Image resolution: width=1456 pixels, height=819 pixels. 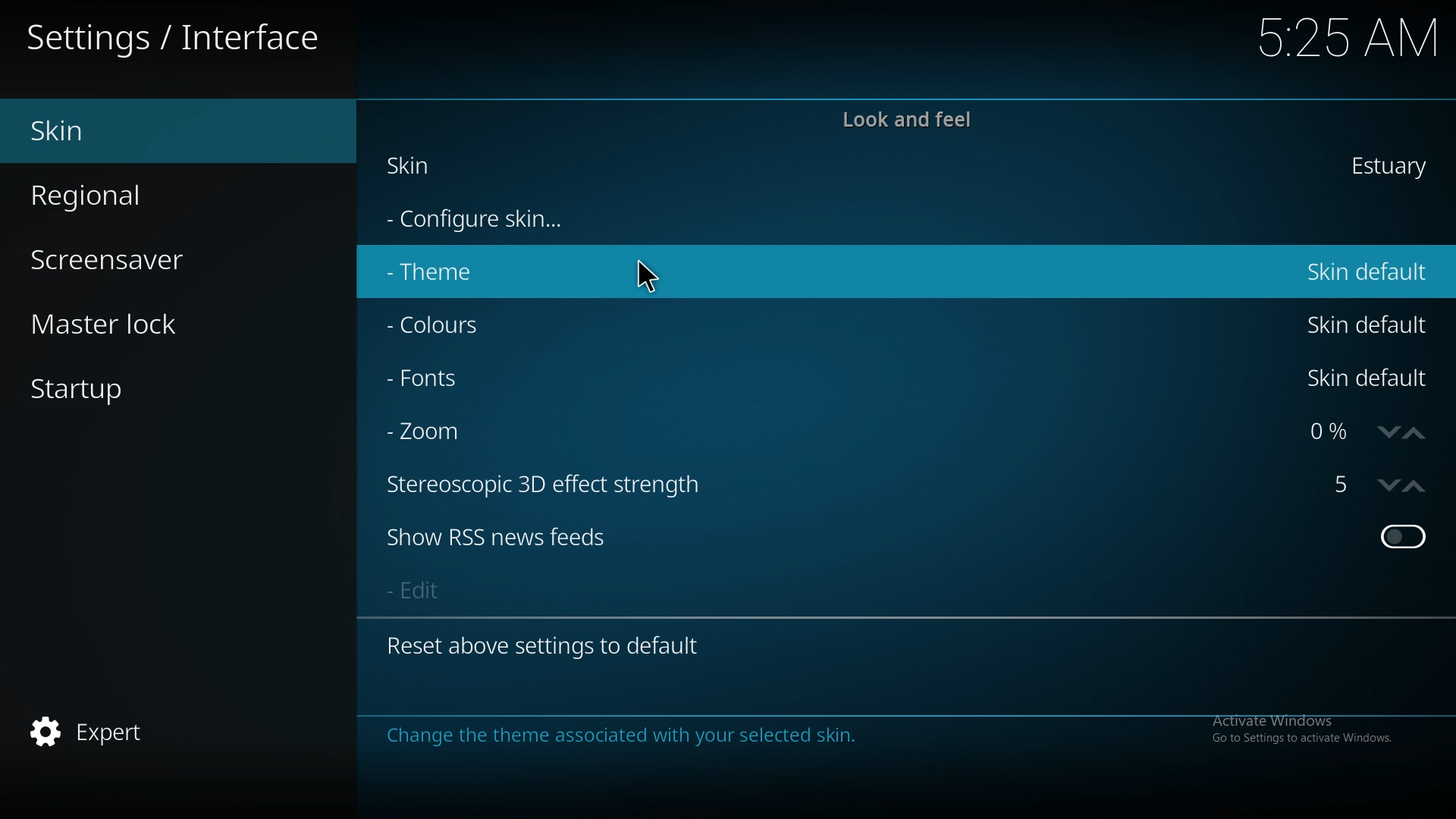 What do you see at coordinates (624, 732) in the screenshot?
I see `info` at bounding box center [624, 732].